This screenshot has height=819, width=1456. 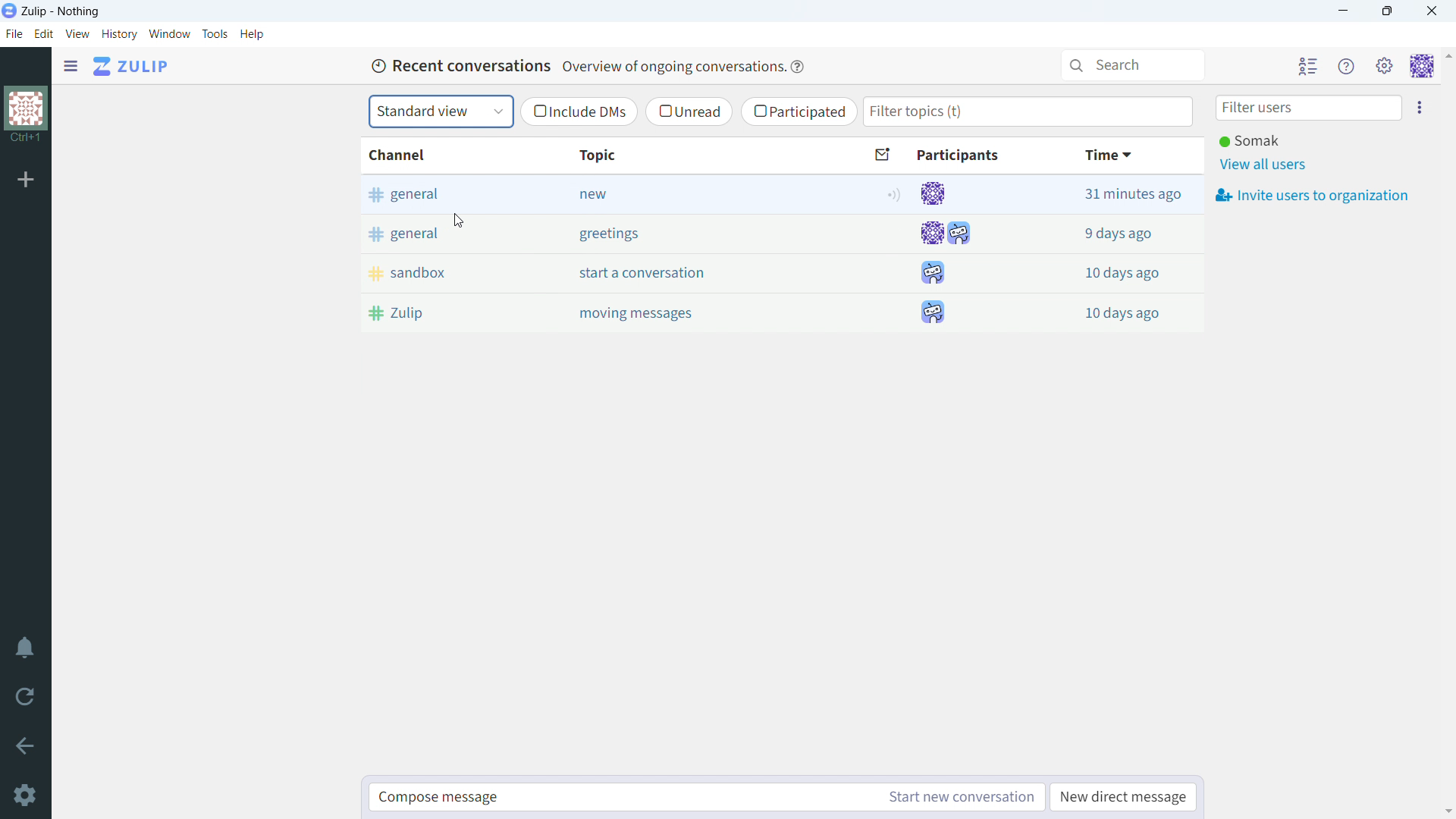 What do you see at coordinates (1423, 65) in the screenshot?
I see `personal menu` at bounding box center [1423, 65].